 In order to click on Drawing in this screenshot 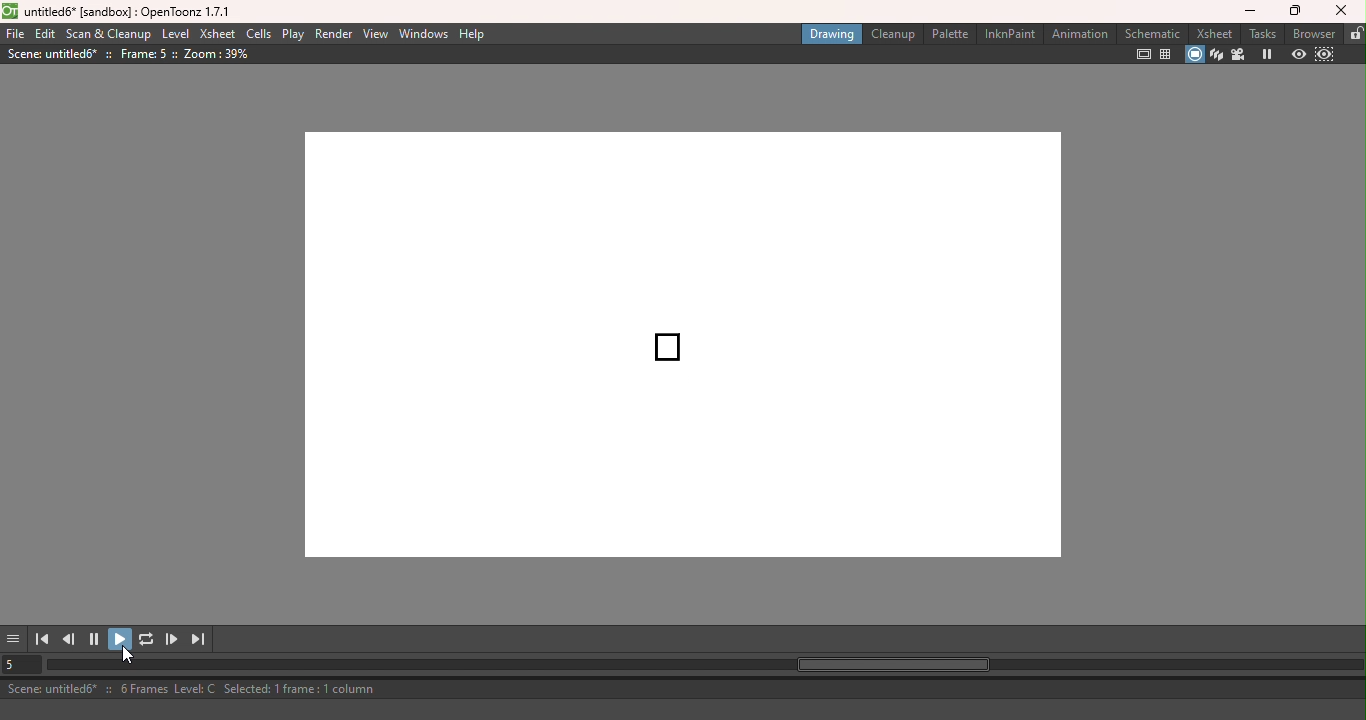, I will do `click(831, 34)`.